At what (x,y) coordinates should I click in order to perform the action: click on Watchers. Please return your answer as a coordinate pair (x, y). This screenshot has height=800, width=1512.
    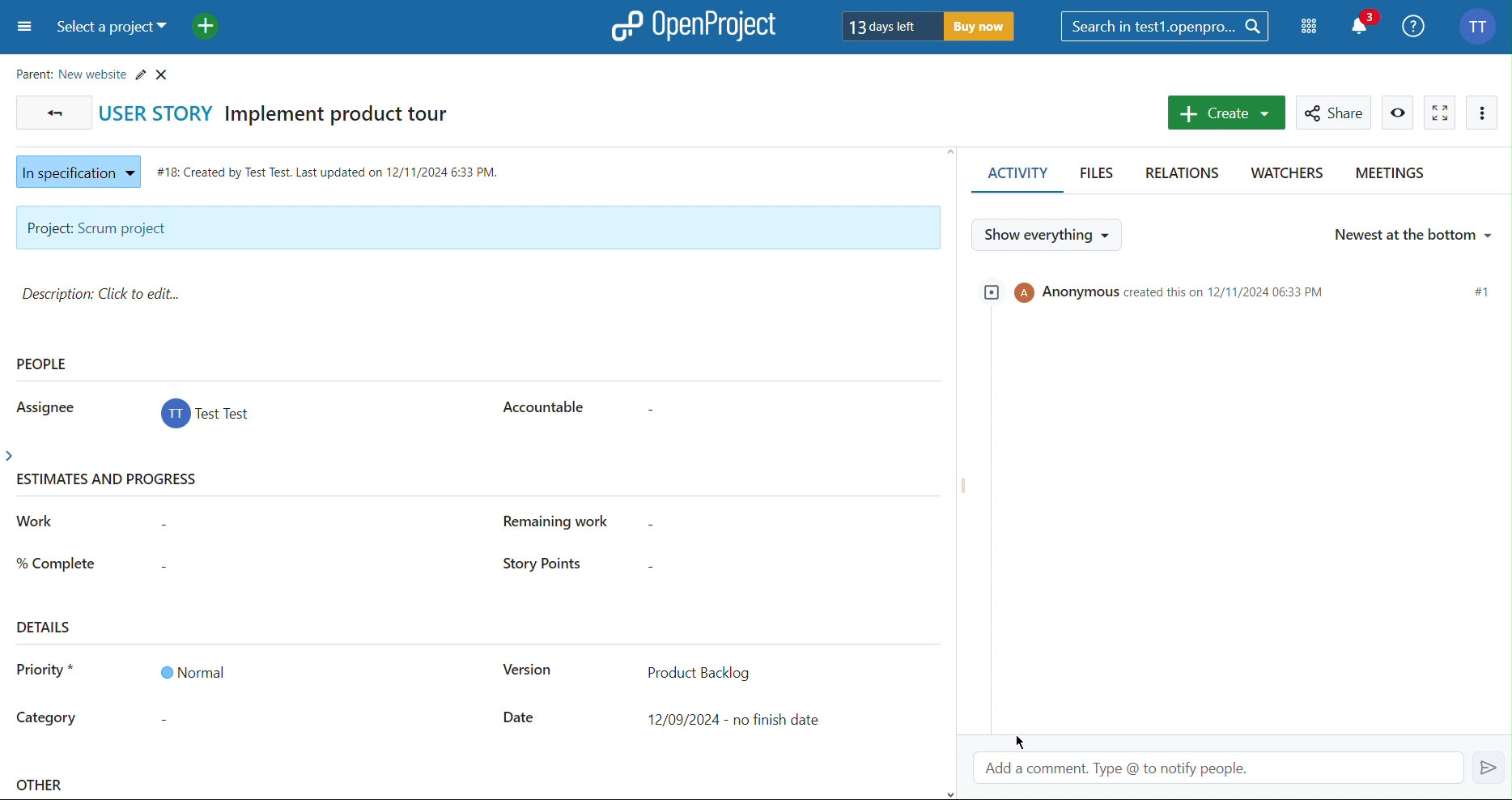
    Looking at the image, I should click on (1285, 176).